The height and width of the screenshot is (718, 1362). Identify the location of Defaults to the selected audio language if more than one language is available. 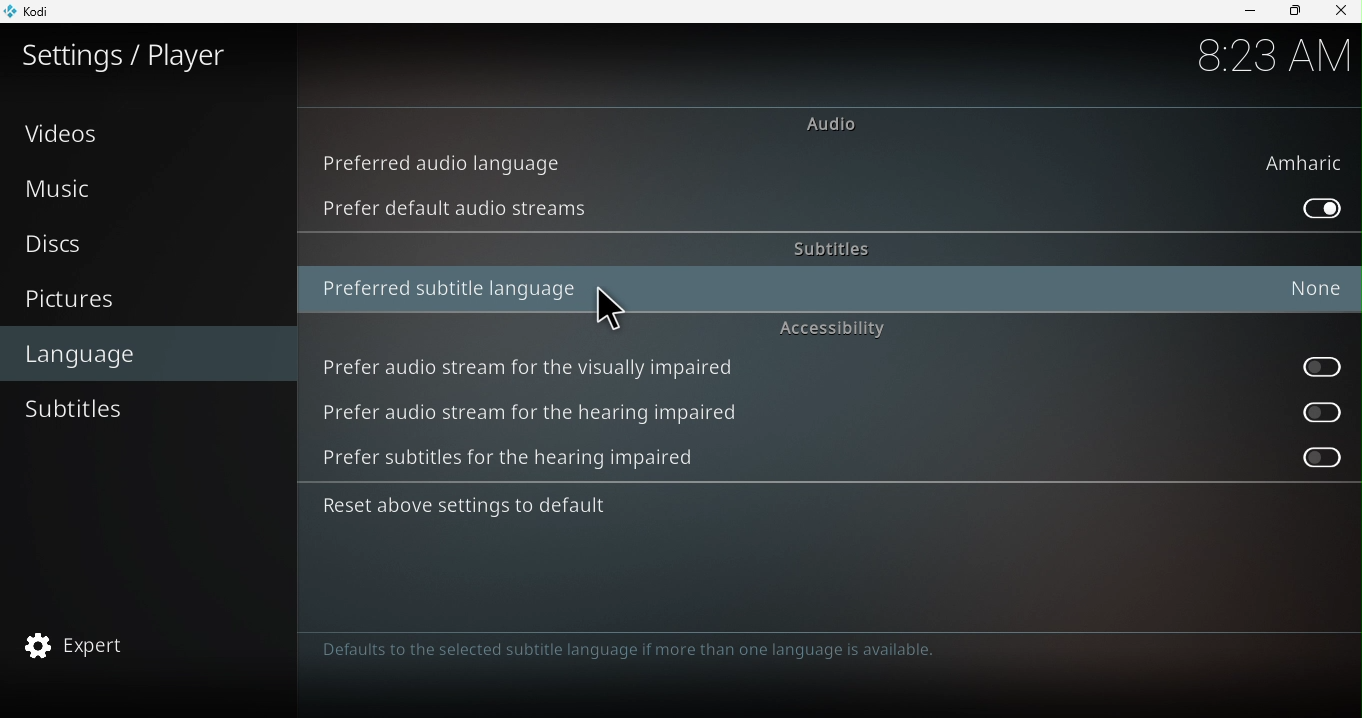
(651, 654).